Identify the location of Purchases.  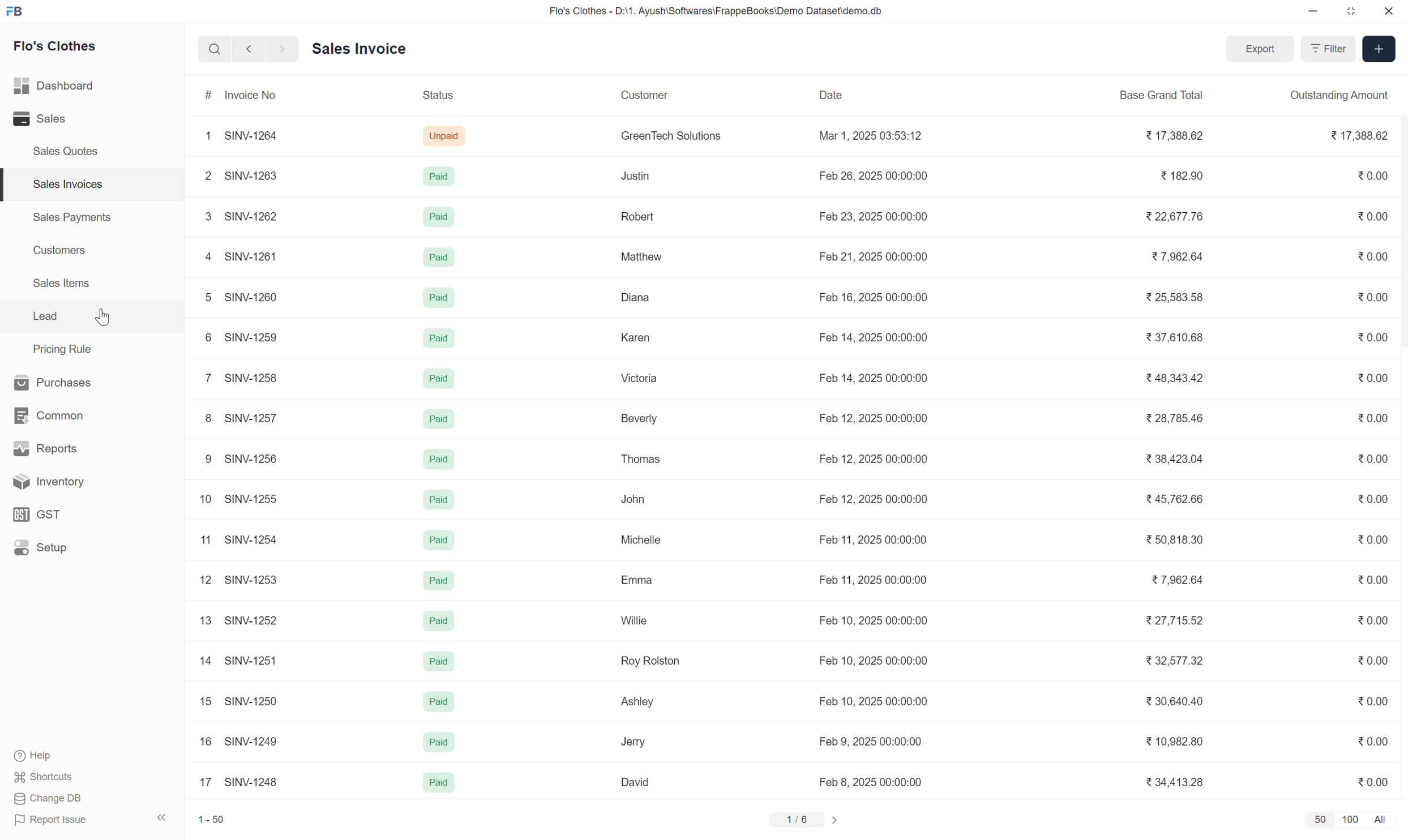
(53, 382).